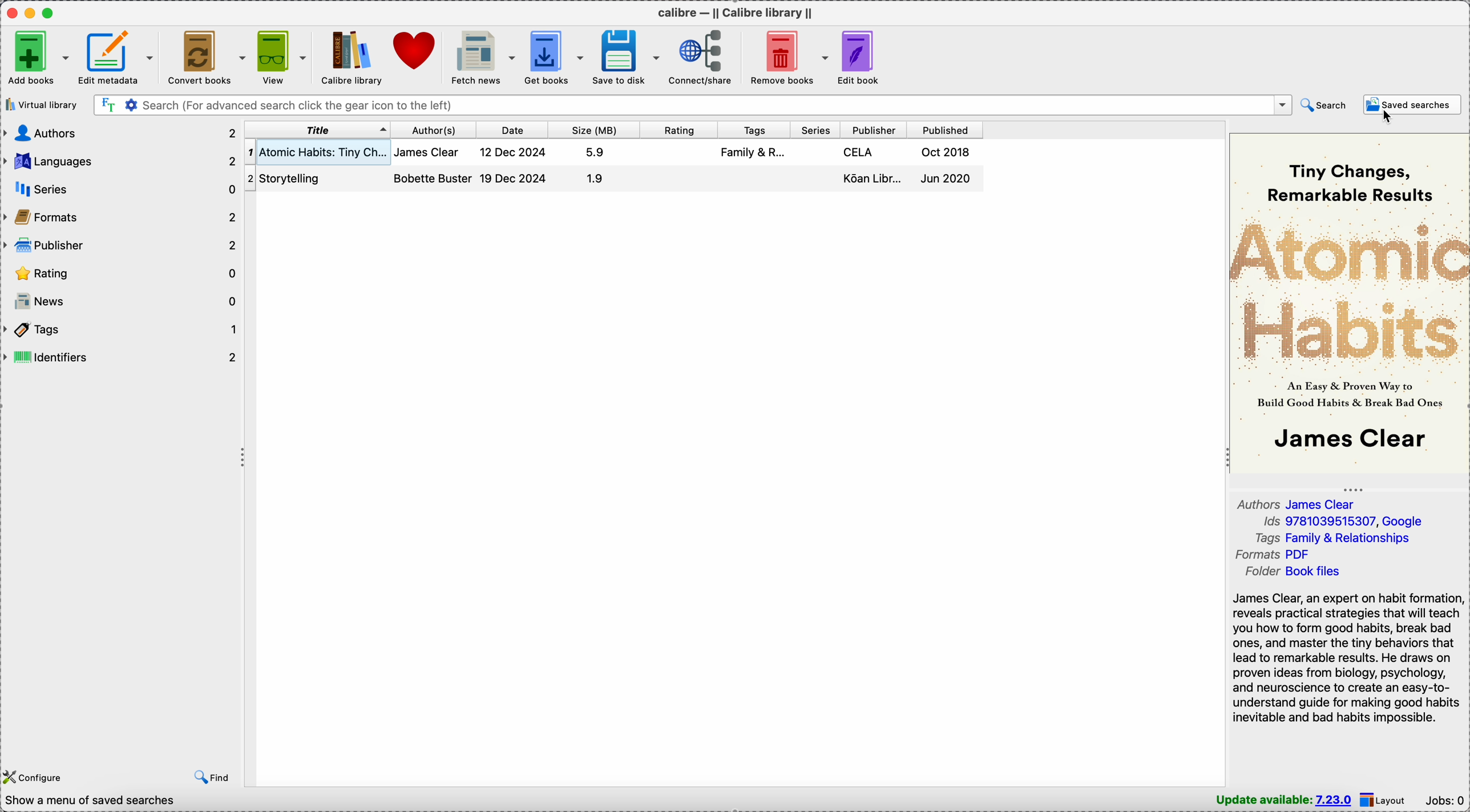 This screenshot has height=812, width=1470. What do you see at coordinates (350, 58) in the screenshot?
I see `Calibre library` at bounding box center [350, 58].